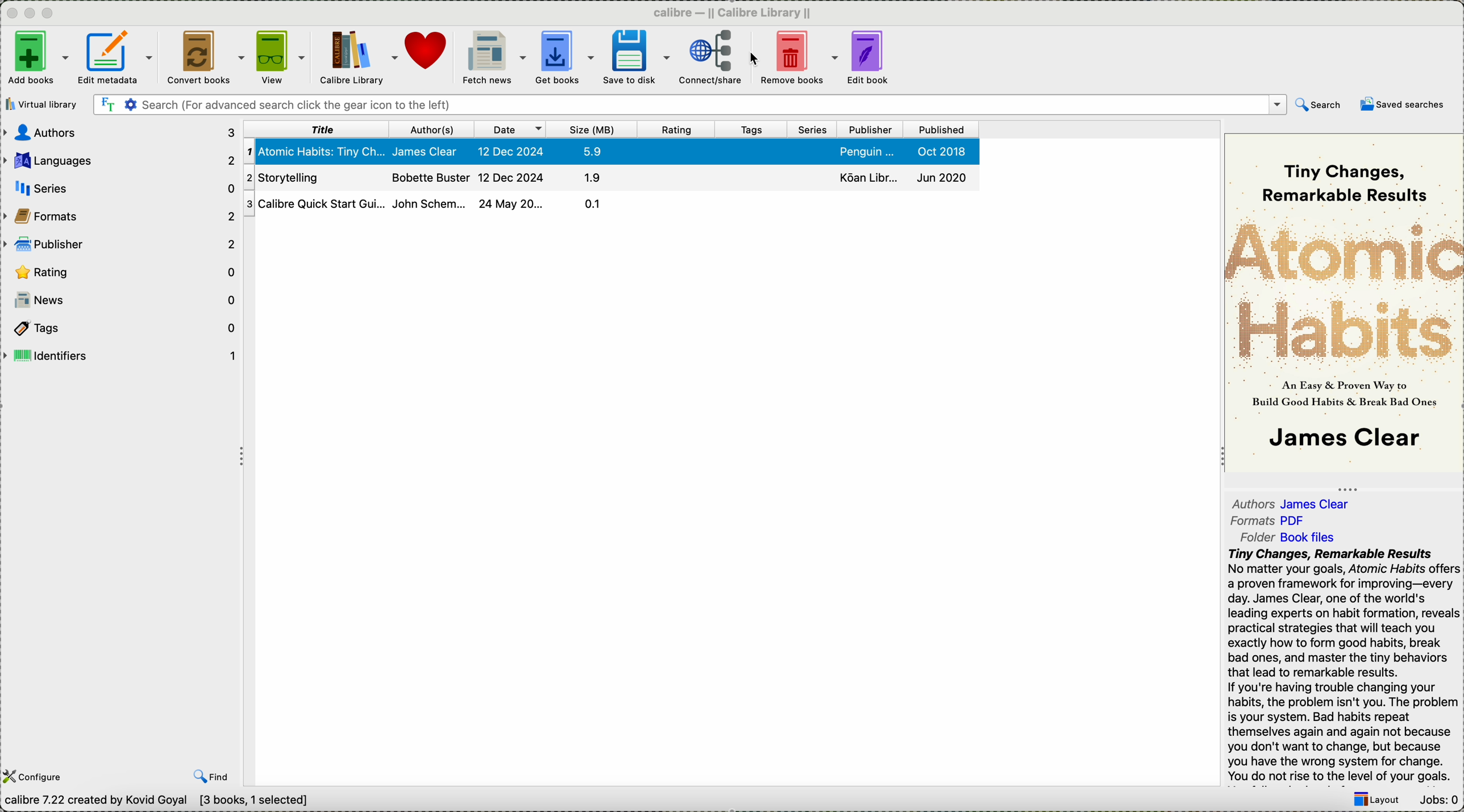 The width and height of the screenshot is (1464, 812). What do you see at coordinates (203, 59) in the screenshot?
I see `convert books` at bounding box center [203, 59].